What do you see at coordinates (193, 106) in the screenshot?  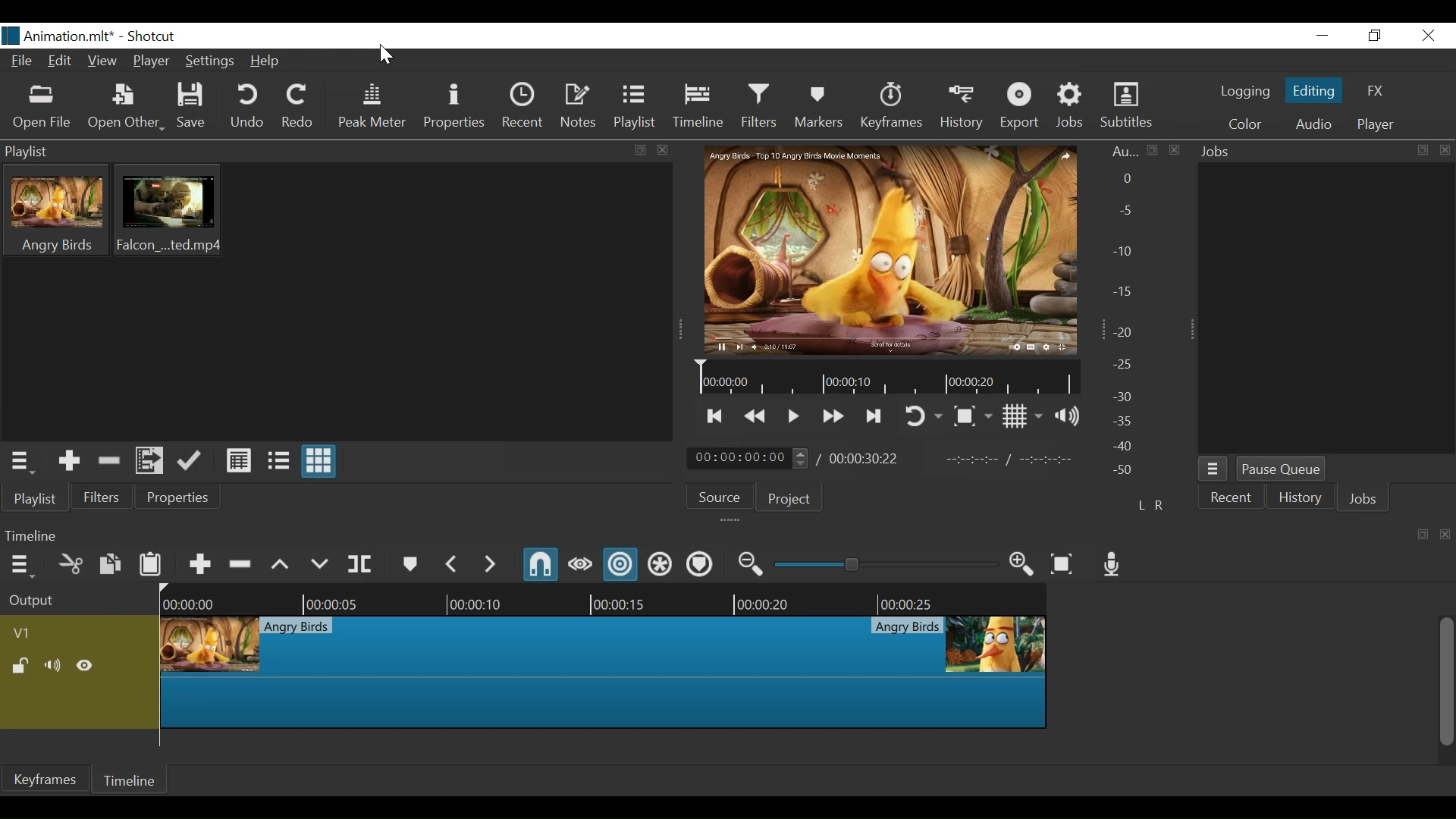 I see `Save` at bounding box center [193, 106].